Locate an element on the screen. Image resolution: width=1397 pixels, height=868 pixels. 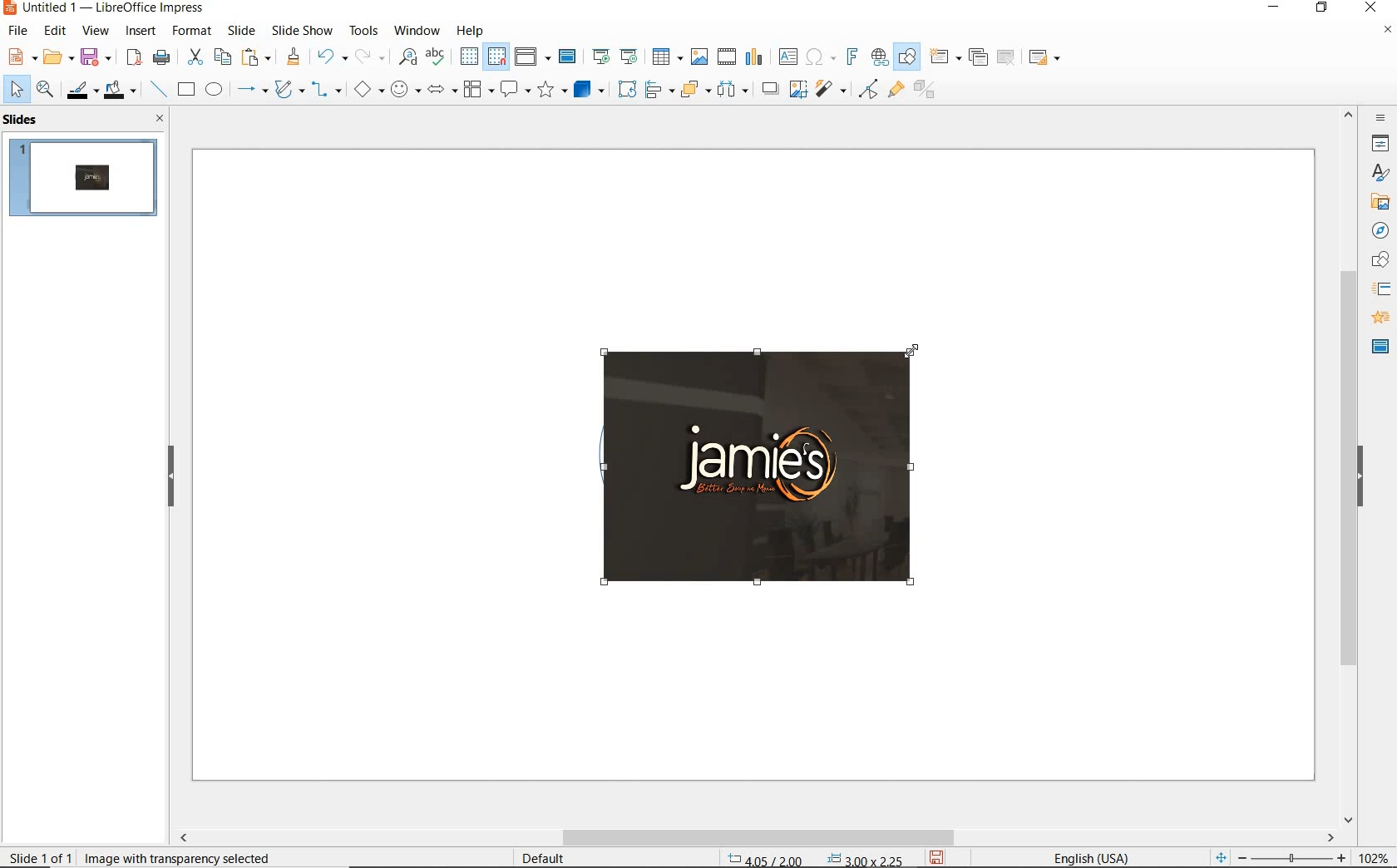
insert chart is located at coordinates (754, 57).